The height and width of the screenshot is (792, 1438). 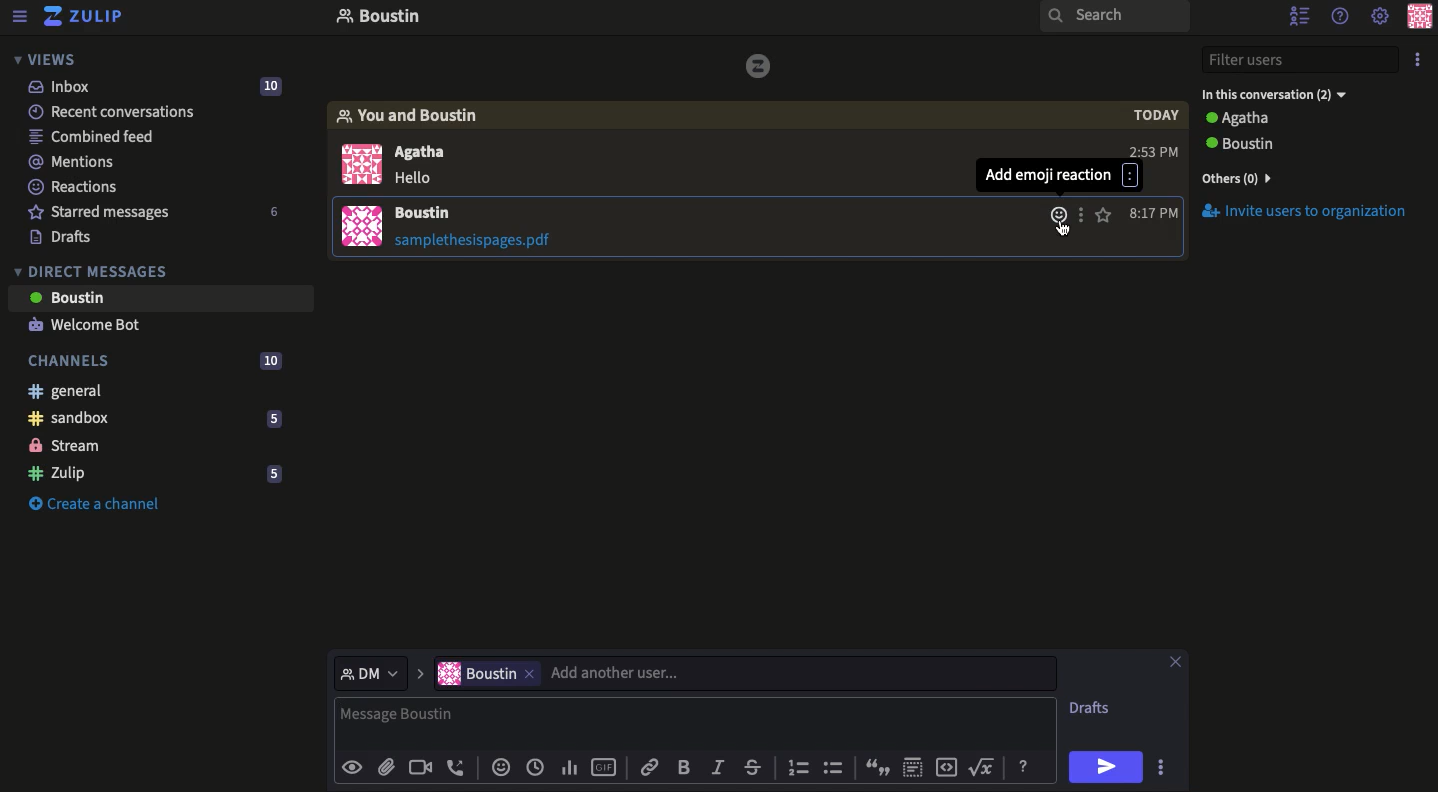 I want to click on User, so click(x=435, y=212).